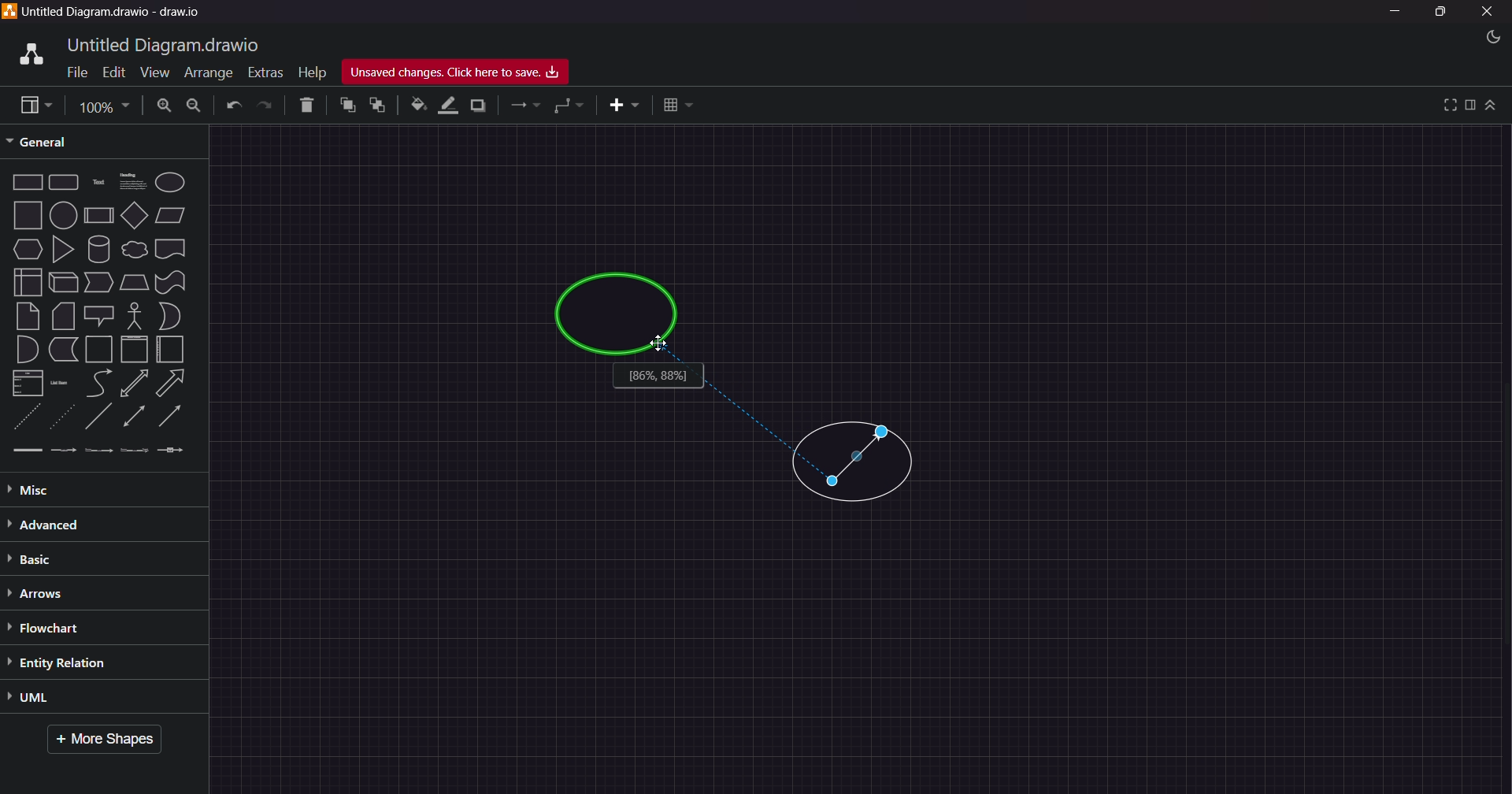  What do you see at coordinates (79, 524) in the screenshot?
I see `Advanced` at bounding box center [79, 524].